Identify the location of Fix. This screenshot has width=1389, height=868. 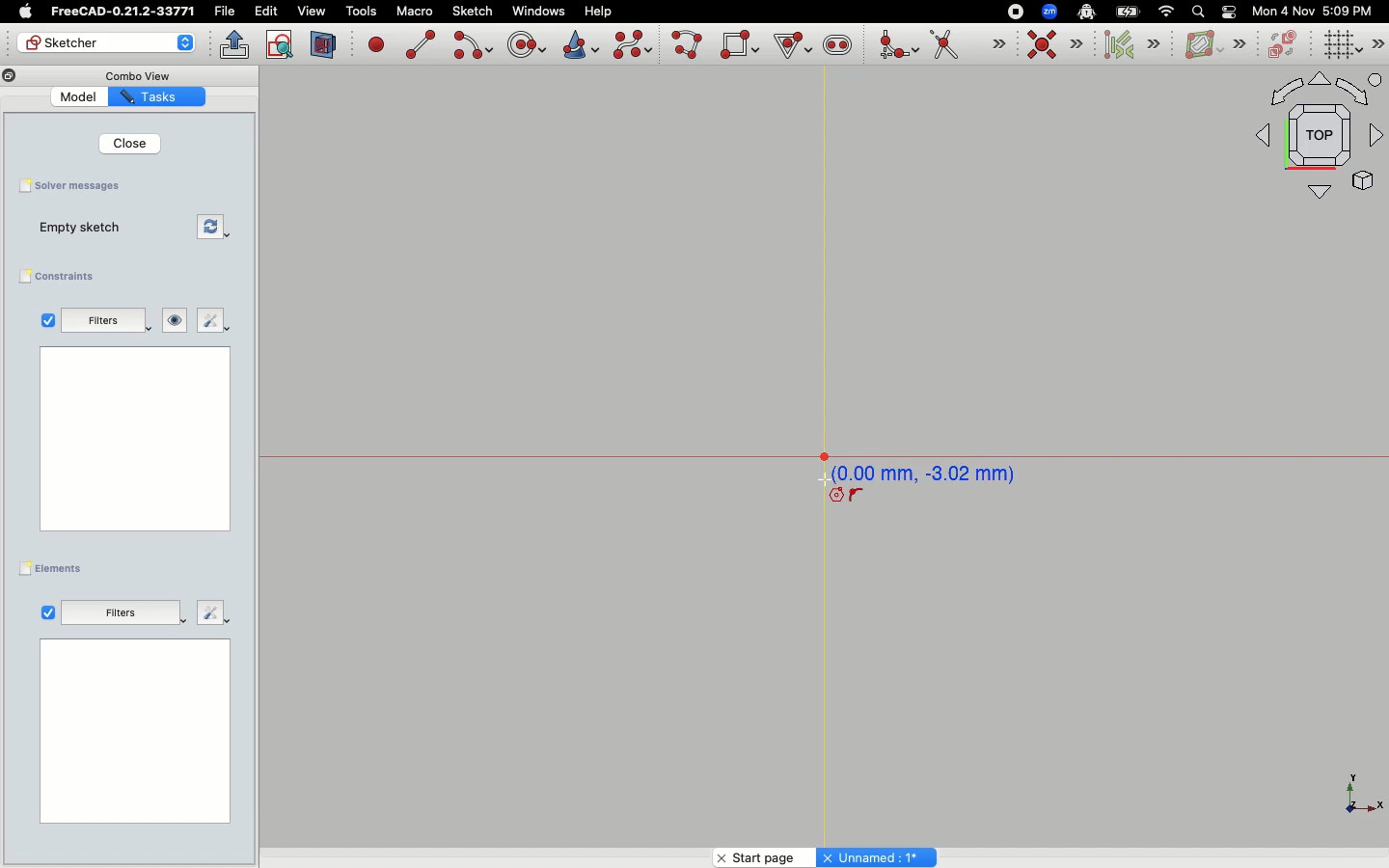
(211, 320).